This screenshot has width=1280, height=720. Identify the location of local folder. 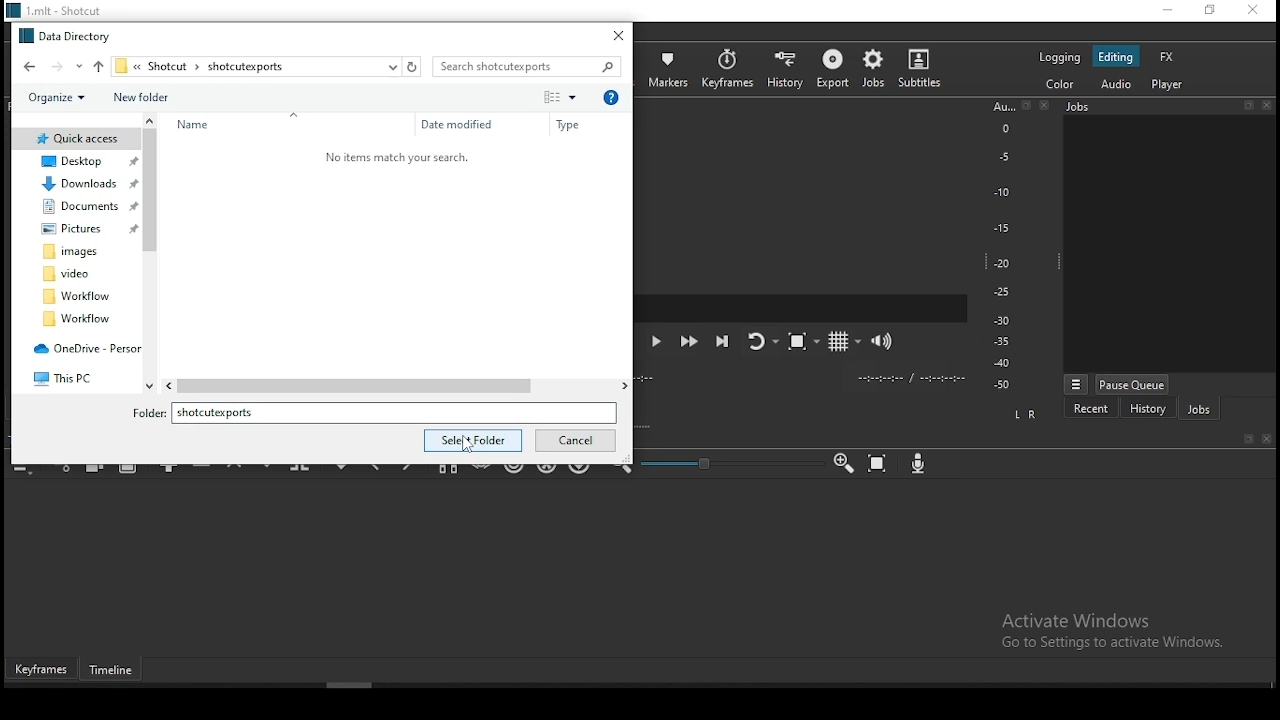
(71, 274).